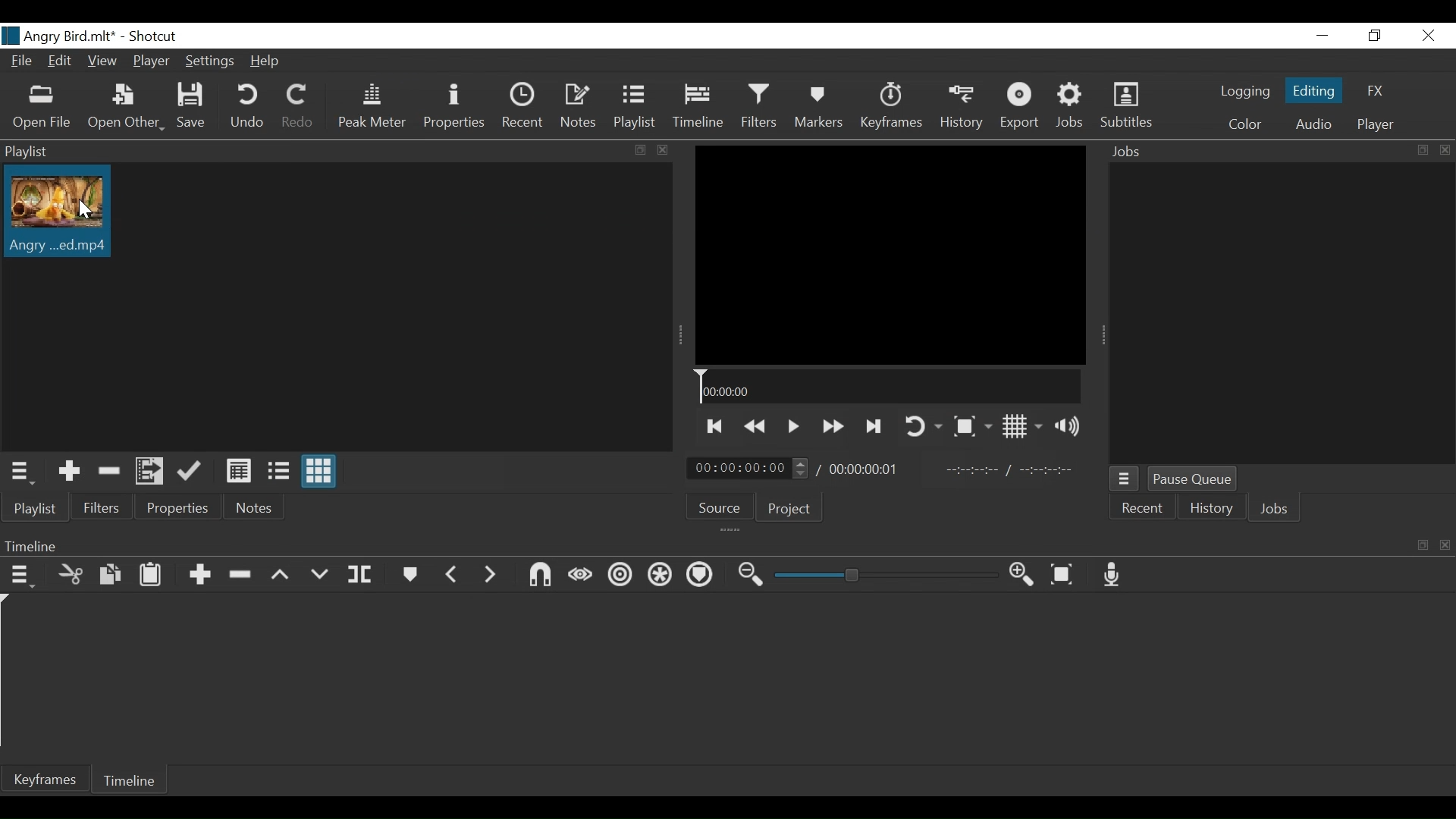 The width and height of the screenshot is (1456, 819). I want to click on Color, so click(1245, 124).